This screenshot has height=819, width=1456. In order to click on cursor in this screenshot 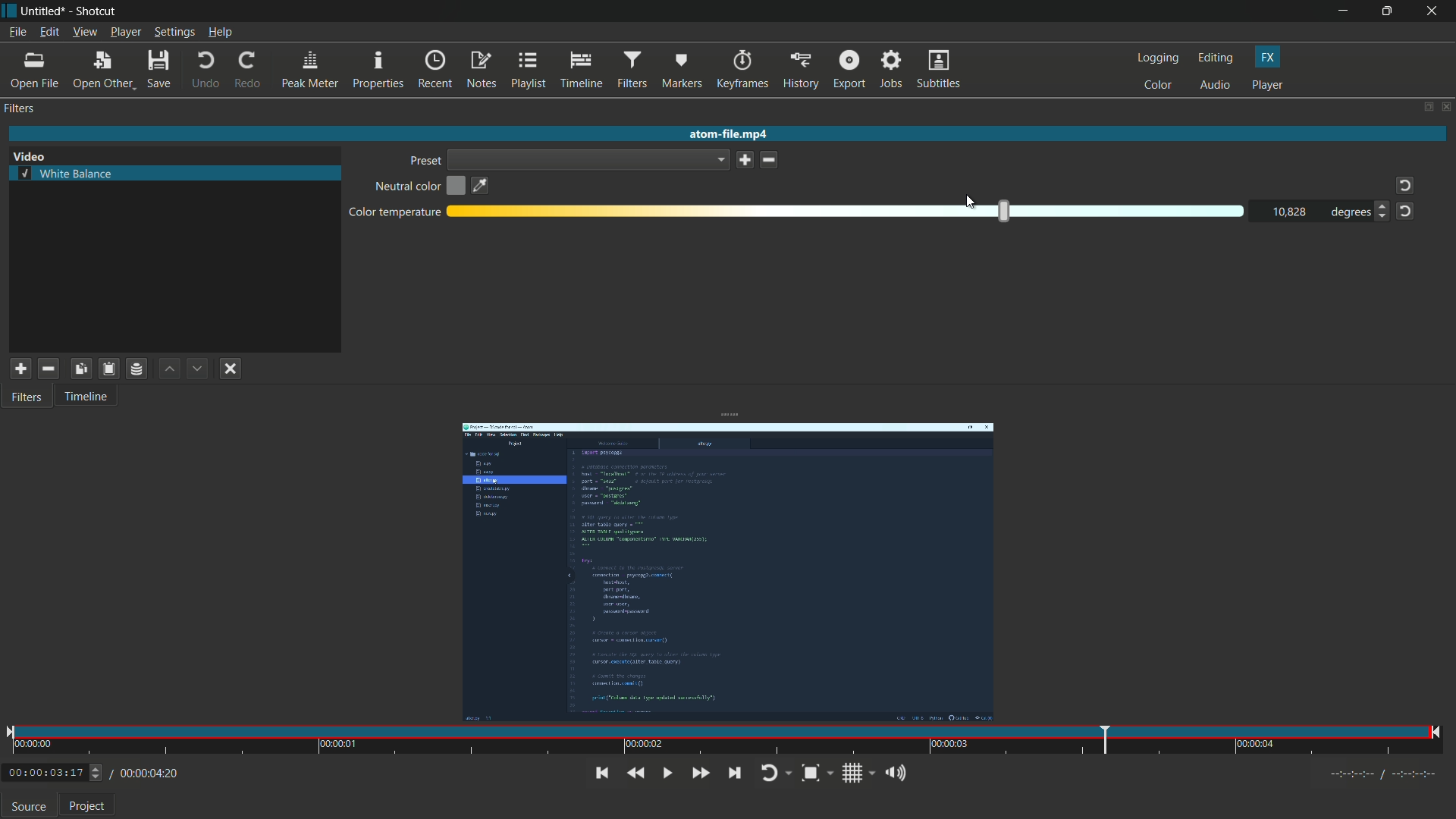, I will do `click(970, 202)`.